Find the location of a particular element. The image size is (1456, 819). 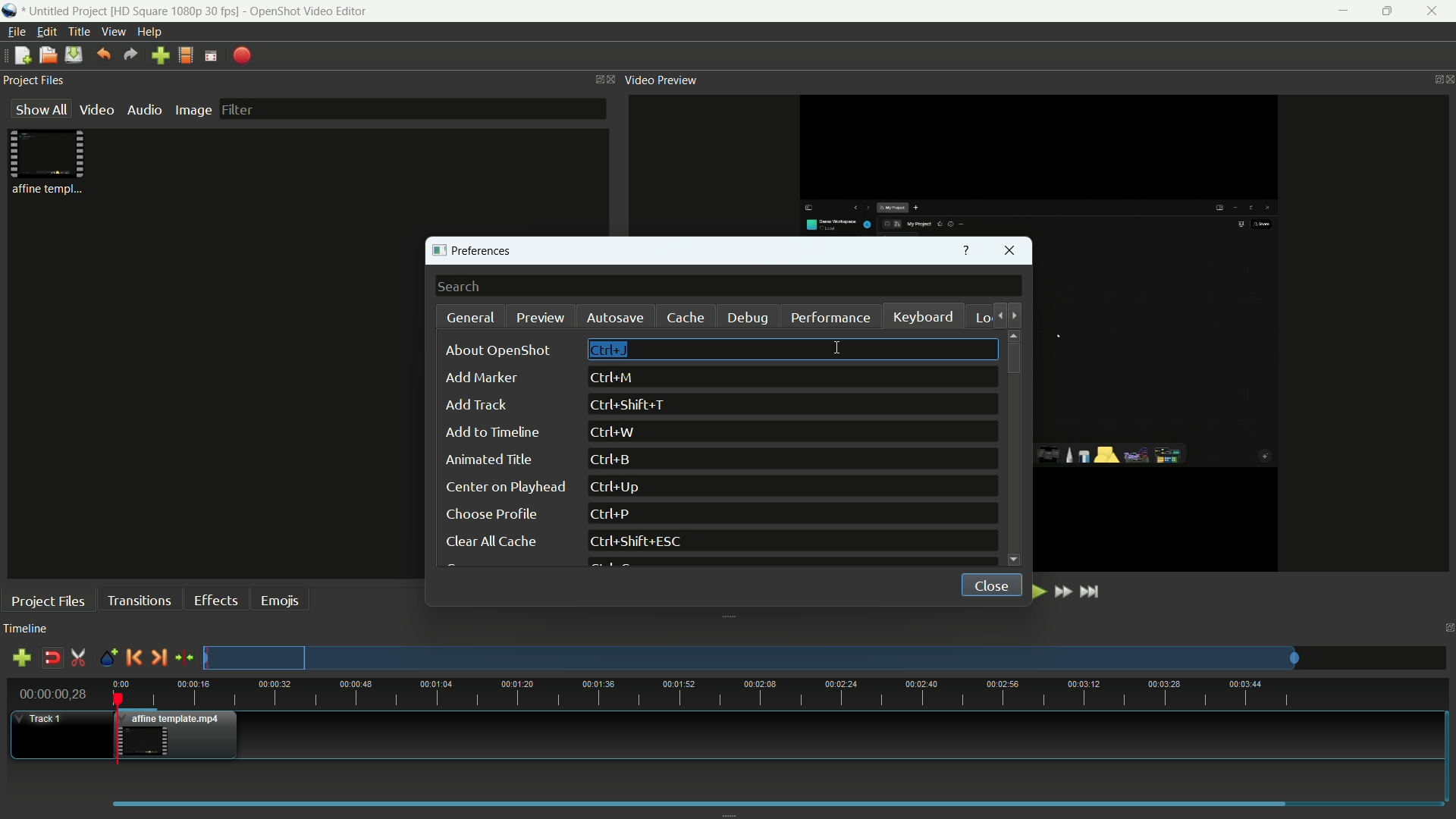

redo is located at coordinates (131, 55).